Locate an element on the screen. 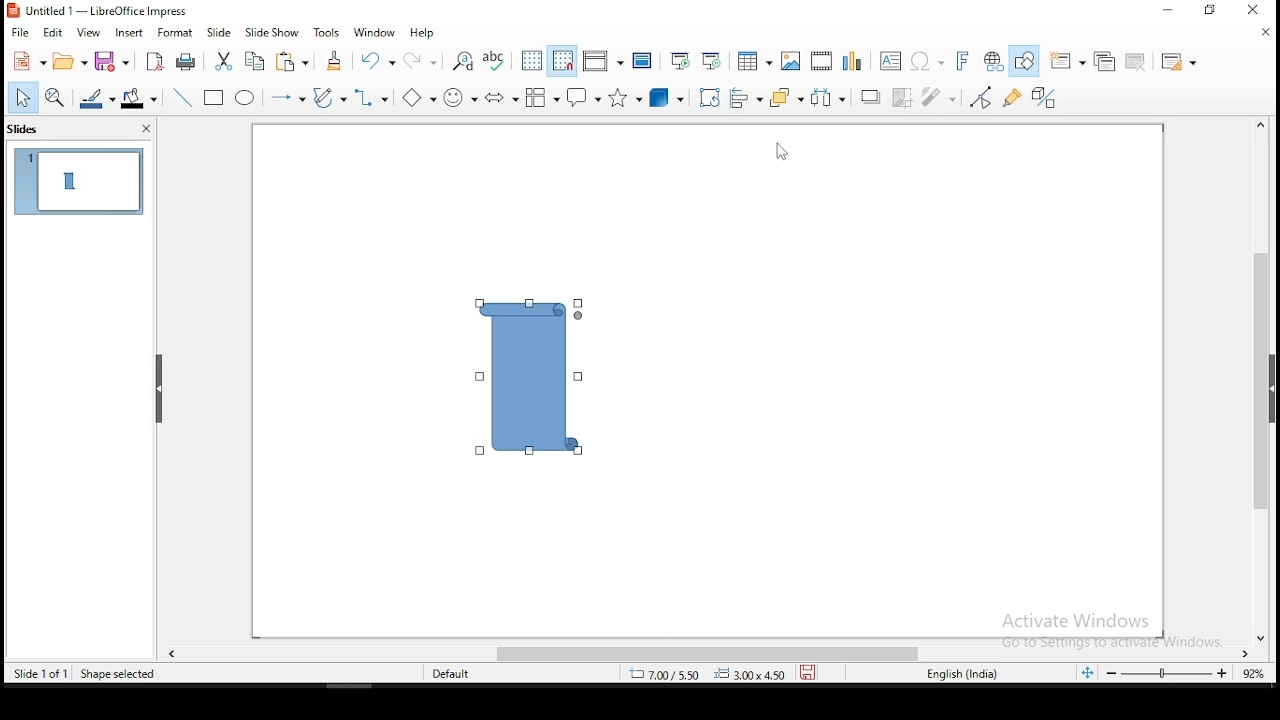 This screenshot has width=1280, height=720. save is located at coordinates (808, 673).